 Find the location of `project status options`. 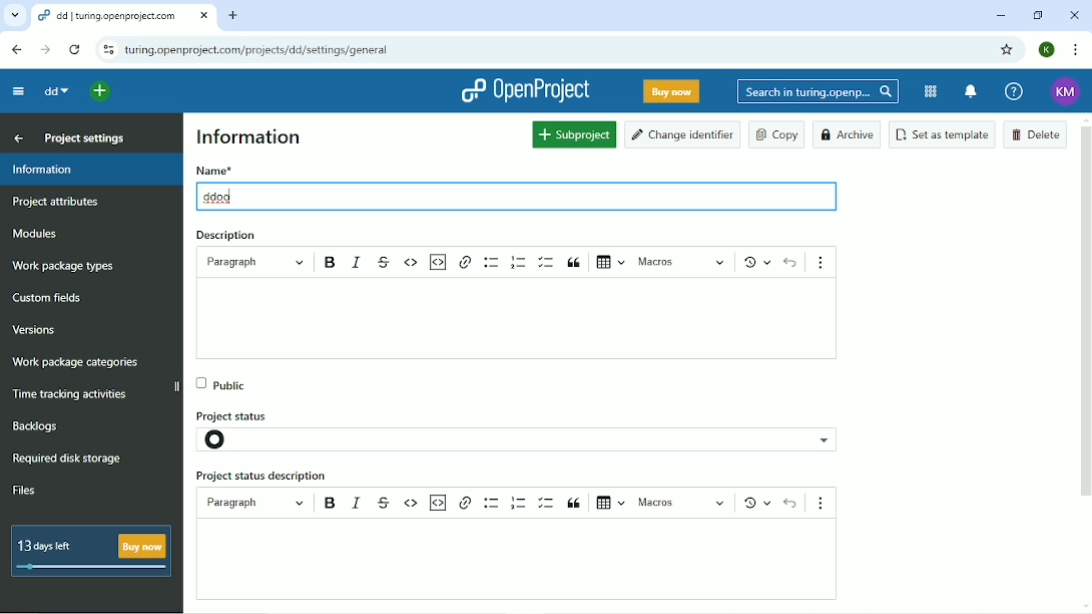

project status options is located at coordinates (827, 439).